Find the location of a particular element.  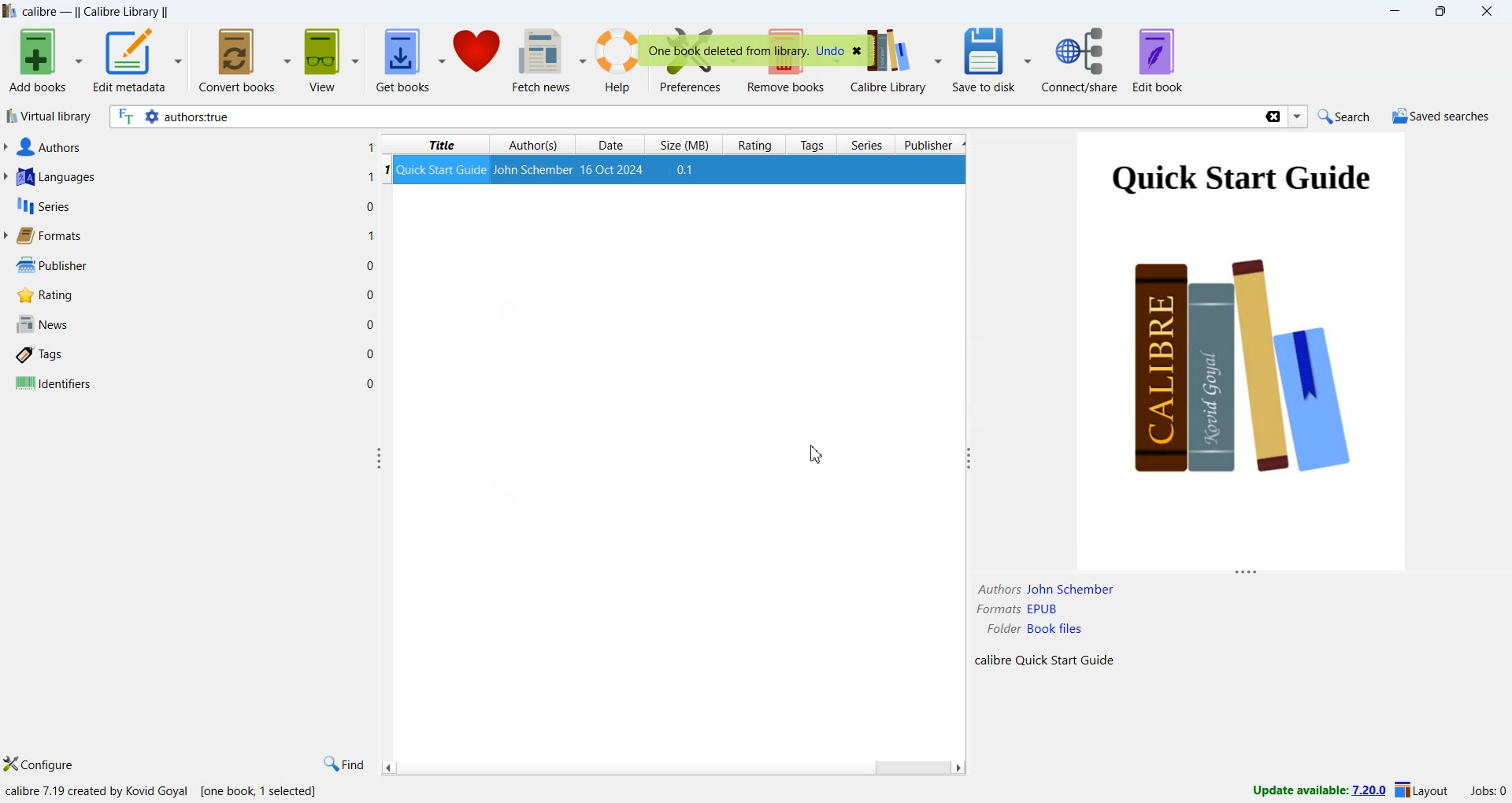

format is located at coordinates (1019, 609).